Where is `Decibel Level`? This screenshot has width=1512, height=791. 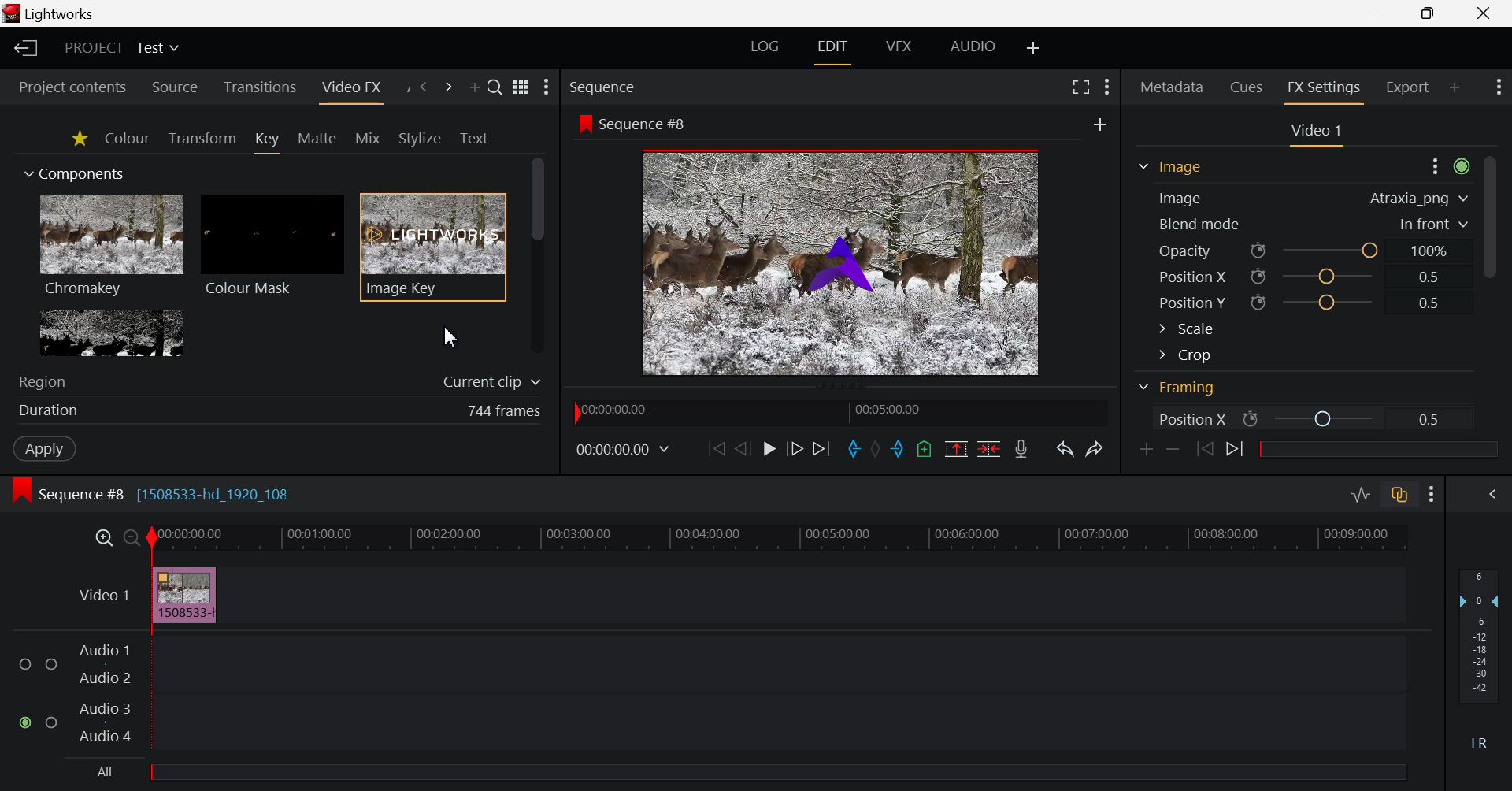
Decibel Level is located at coordinates (1480, 658).